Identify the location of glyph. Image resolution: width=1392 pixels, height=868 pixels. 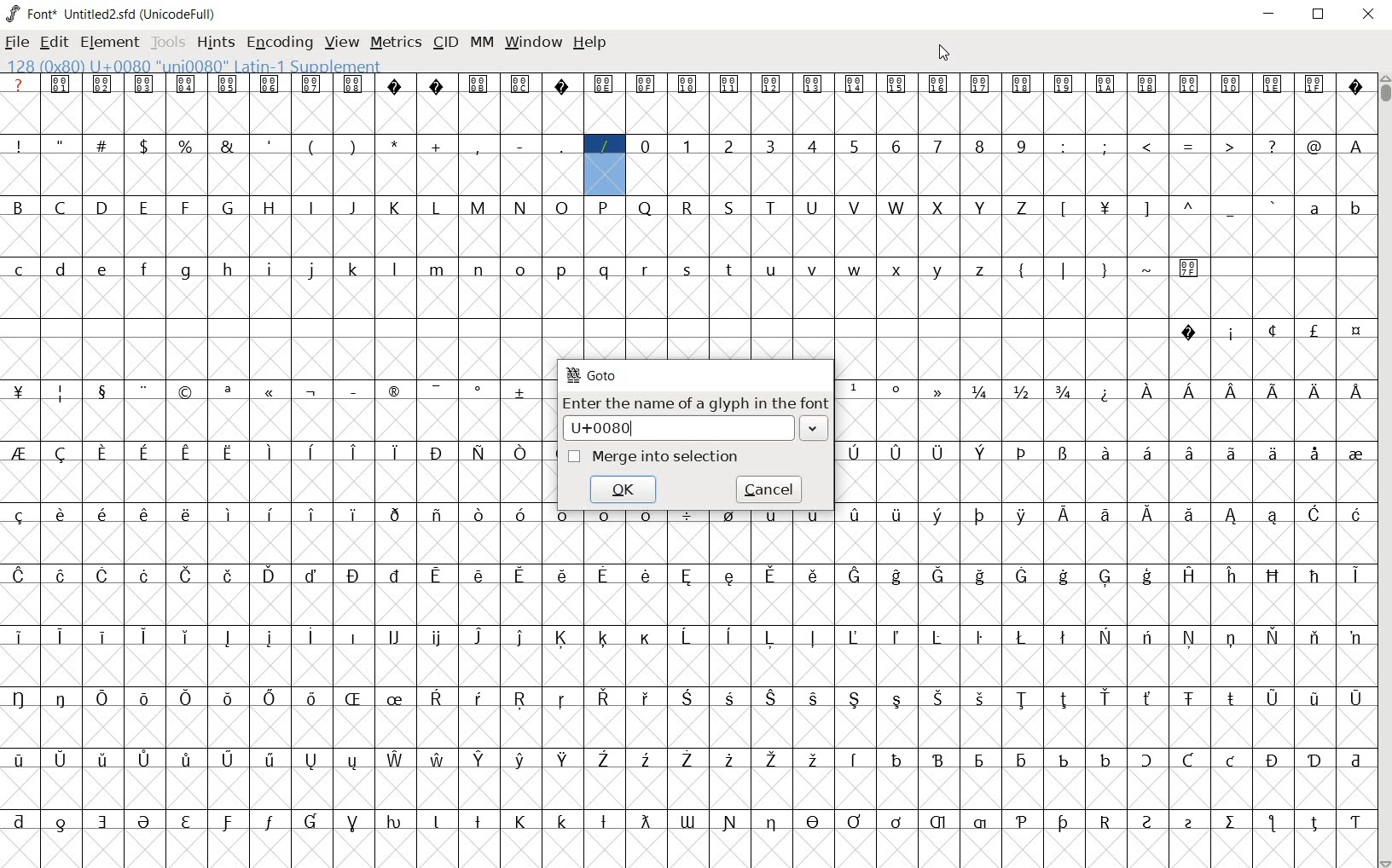
(355, 637).